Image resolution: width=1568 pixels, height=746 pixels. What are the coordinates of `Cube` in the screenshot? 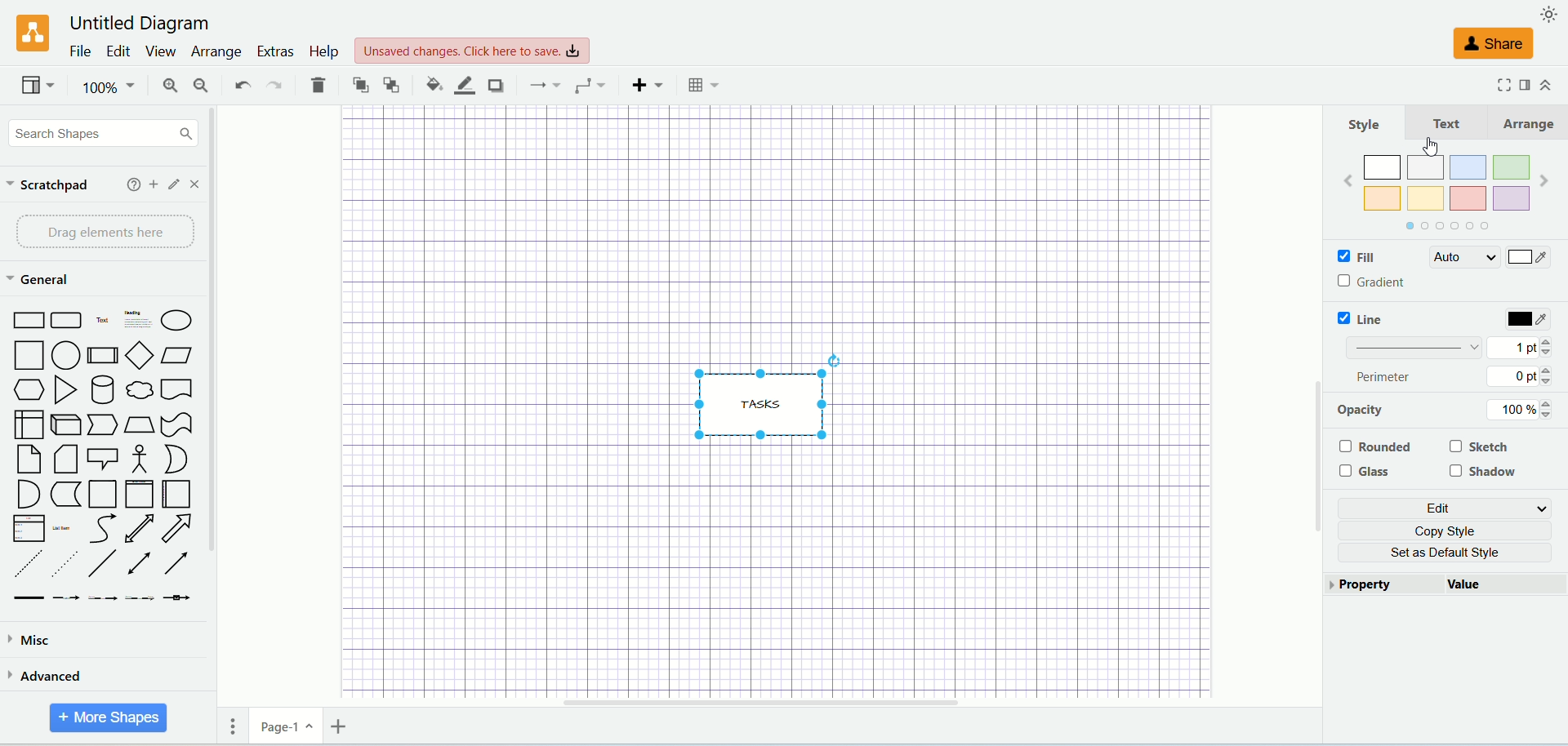 It's located at (65, 425).